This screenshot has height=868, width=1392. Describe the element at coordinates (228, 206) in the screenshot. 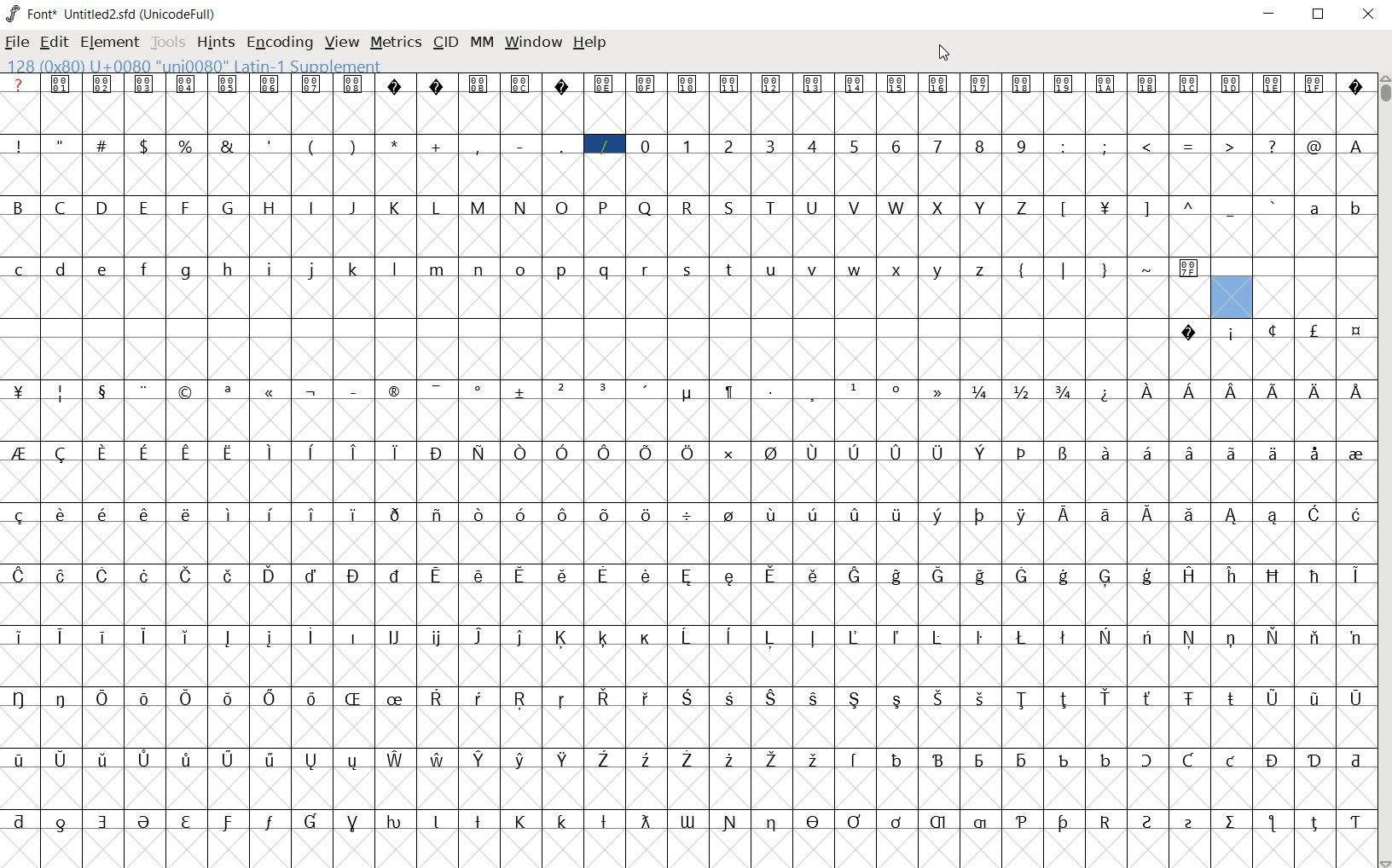

I see `glyph` at that location.